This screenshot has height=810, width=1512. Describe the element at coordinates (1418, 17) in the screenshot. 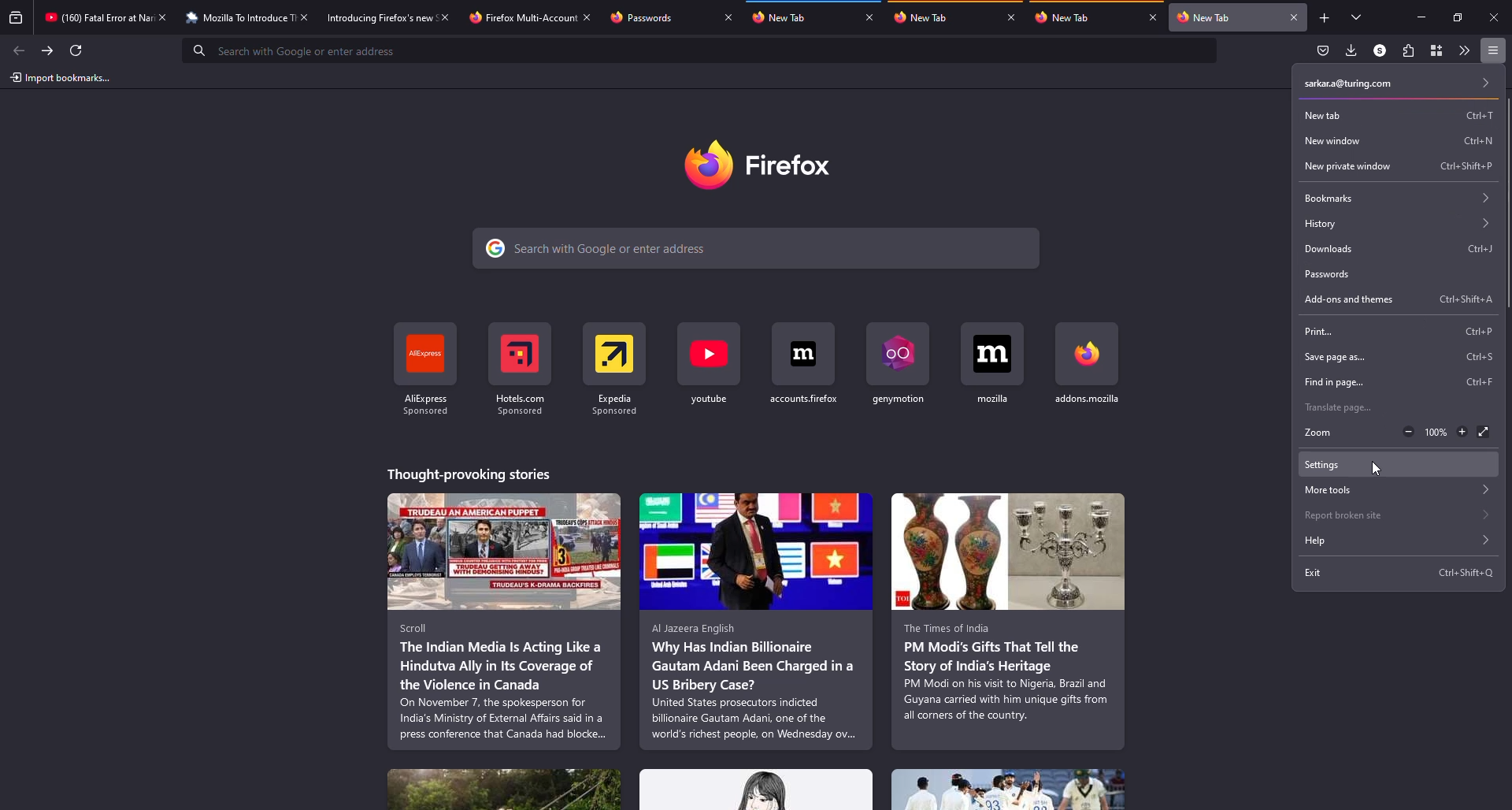

I see `minimize` at that location.